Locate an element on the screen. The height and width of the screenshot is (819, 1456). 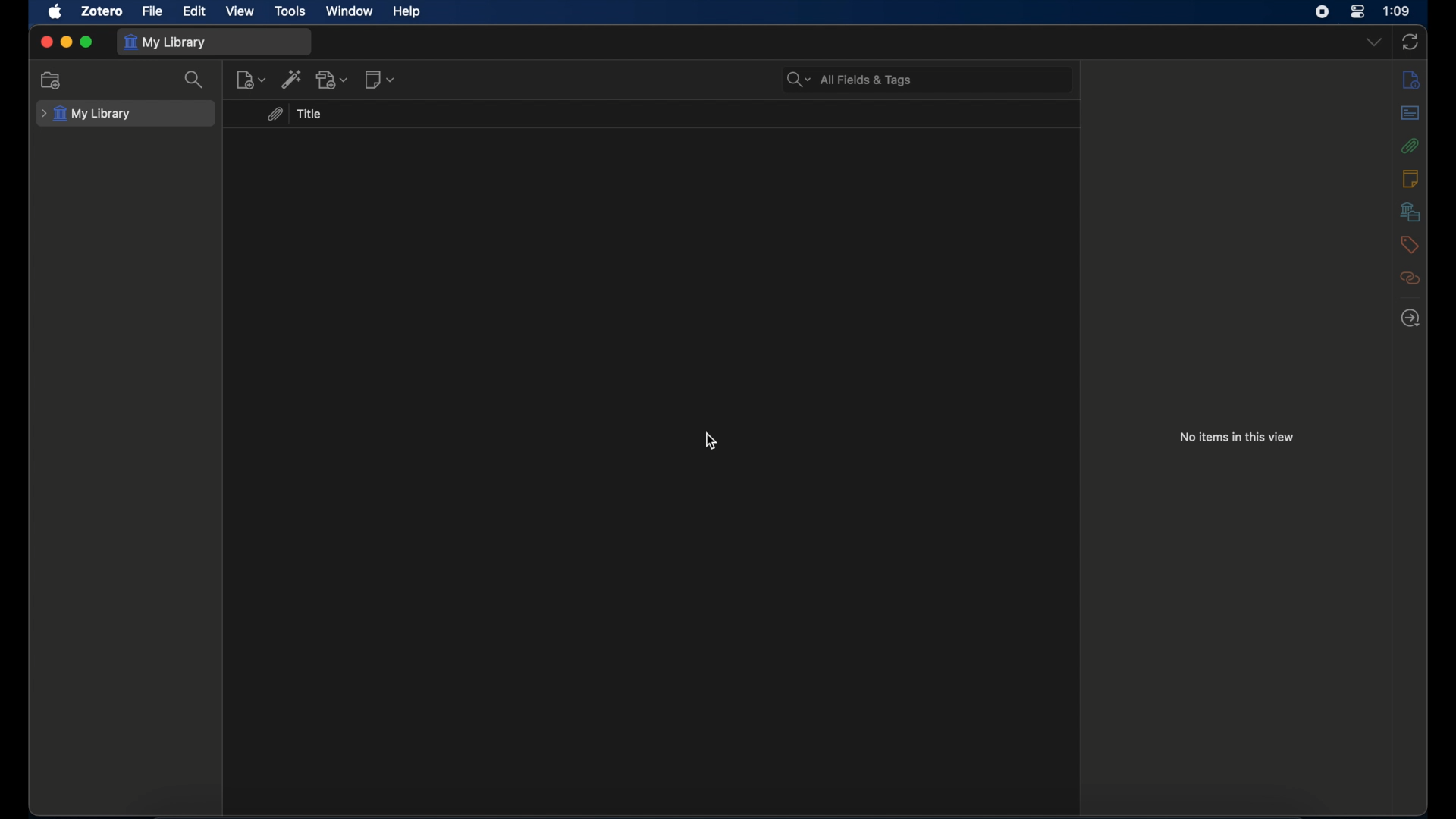
my library is located at coordinates (168, 42).